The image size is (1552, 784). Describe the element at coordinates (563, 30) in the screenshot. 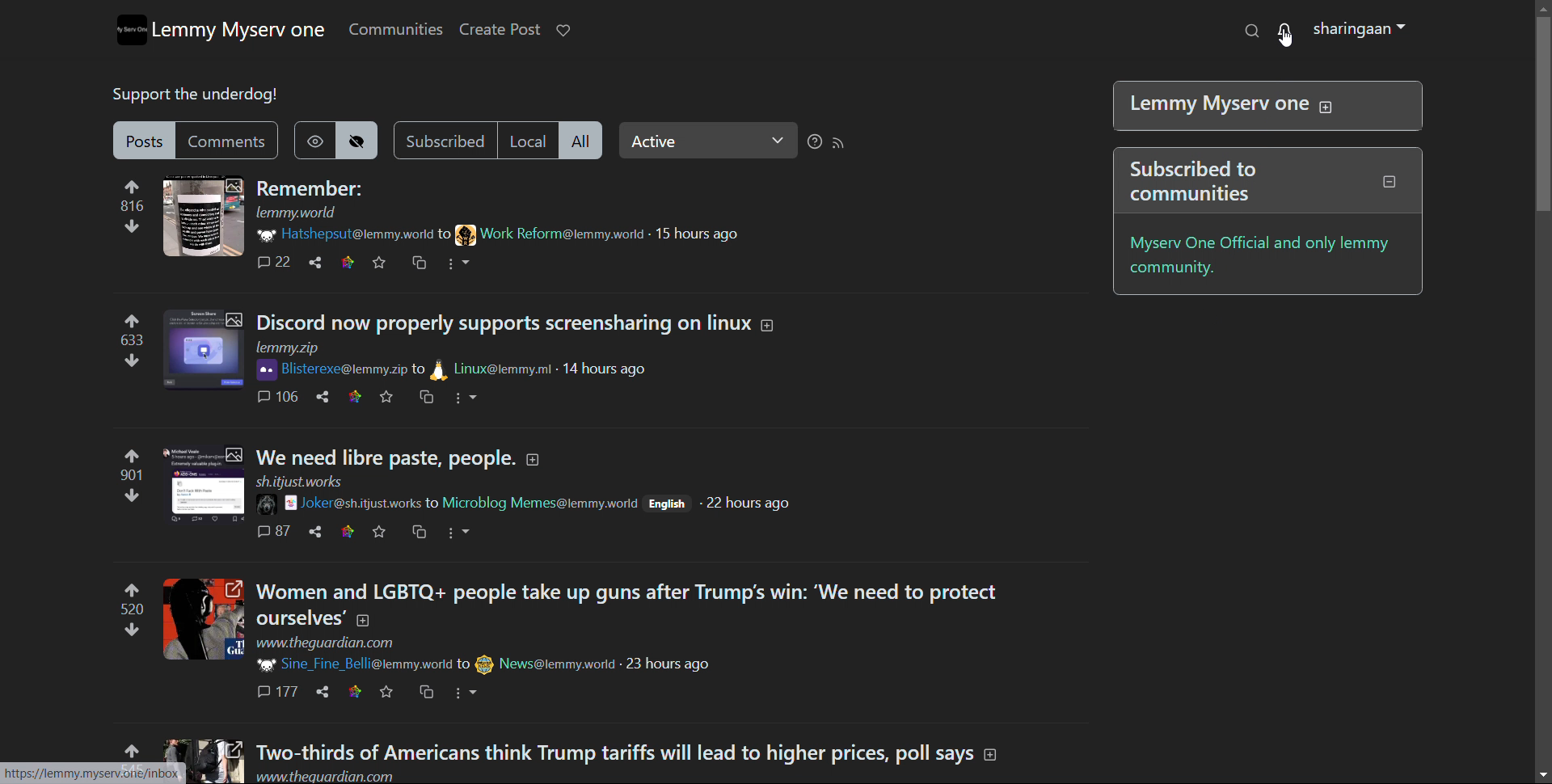

I see `donate to lemmy` at that location.